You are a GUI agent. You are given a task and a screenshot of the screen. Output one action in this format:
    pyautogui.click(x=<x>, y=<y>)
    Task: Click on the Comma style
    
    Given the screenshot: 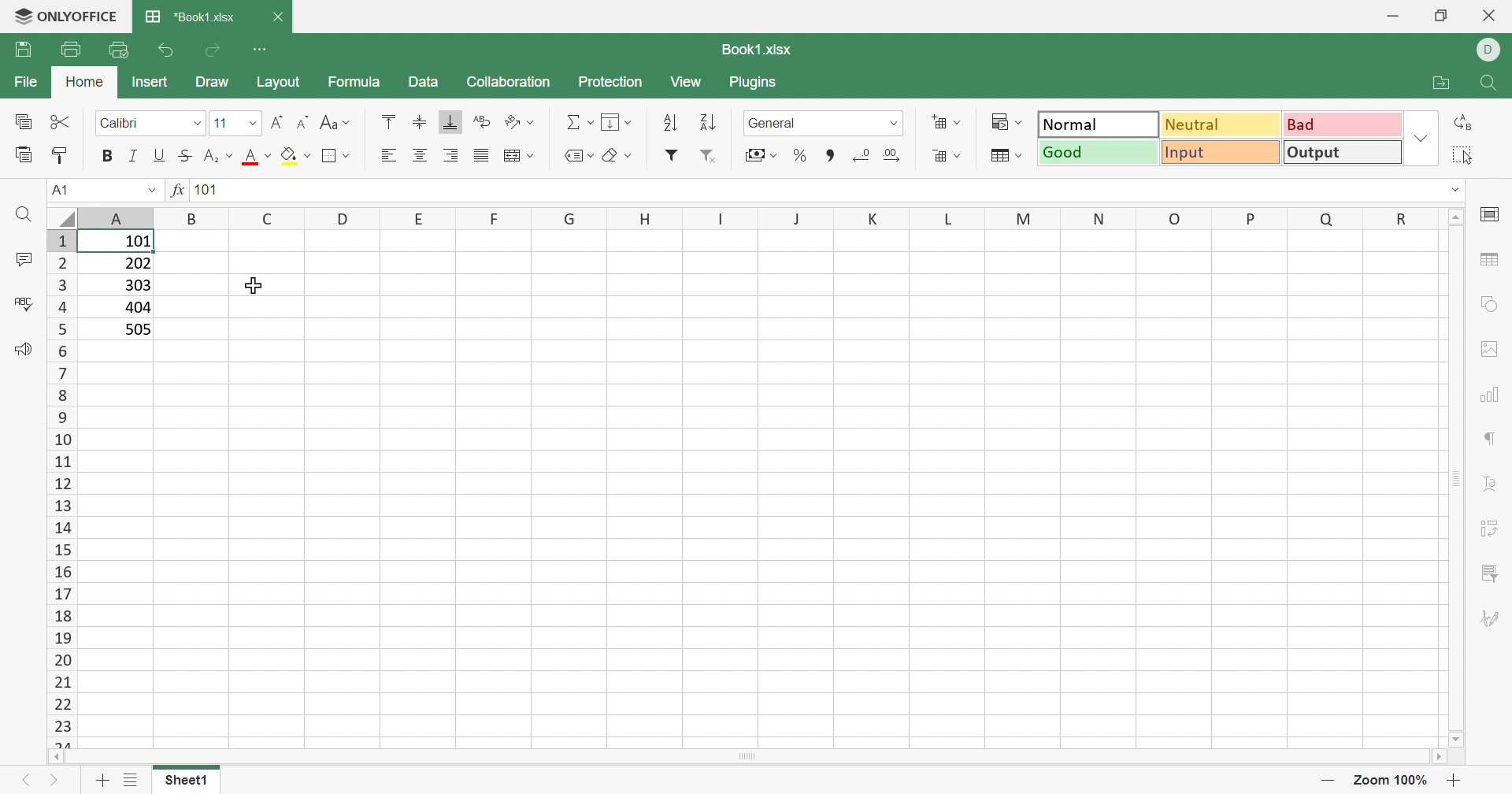 What is the action you would take?
    pyautogui.click(x=828, y=157)
    